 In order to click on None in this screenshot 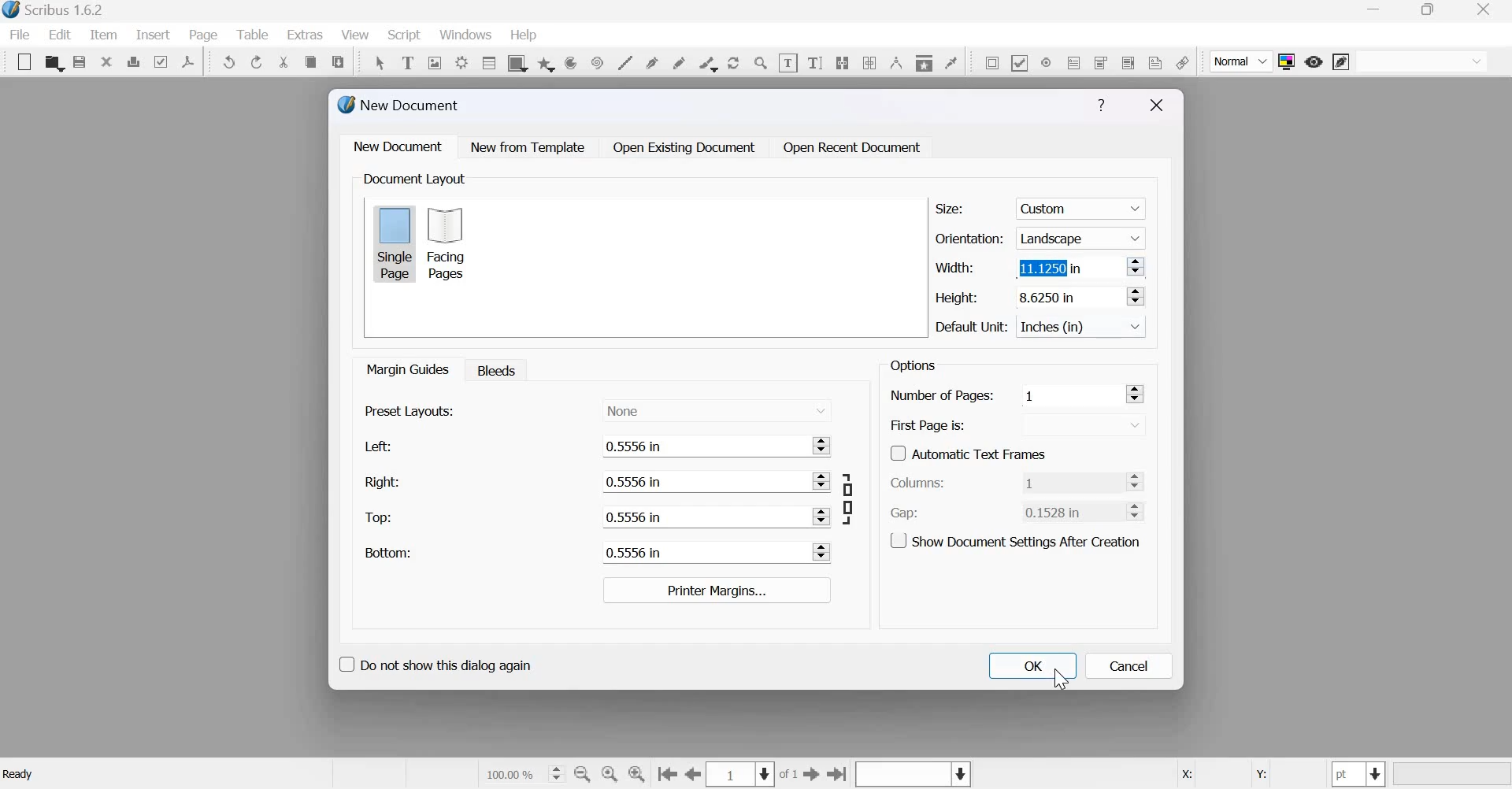, I will do `click(717, 409)`.